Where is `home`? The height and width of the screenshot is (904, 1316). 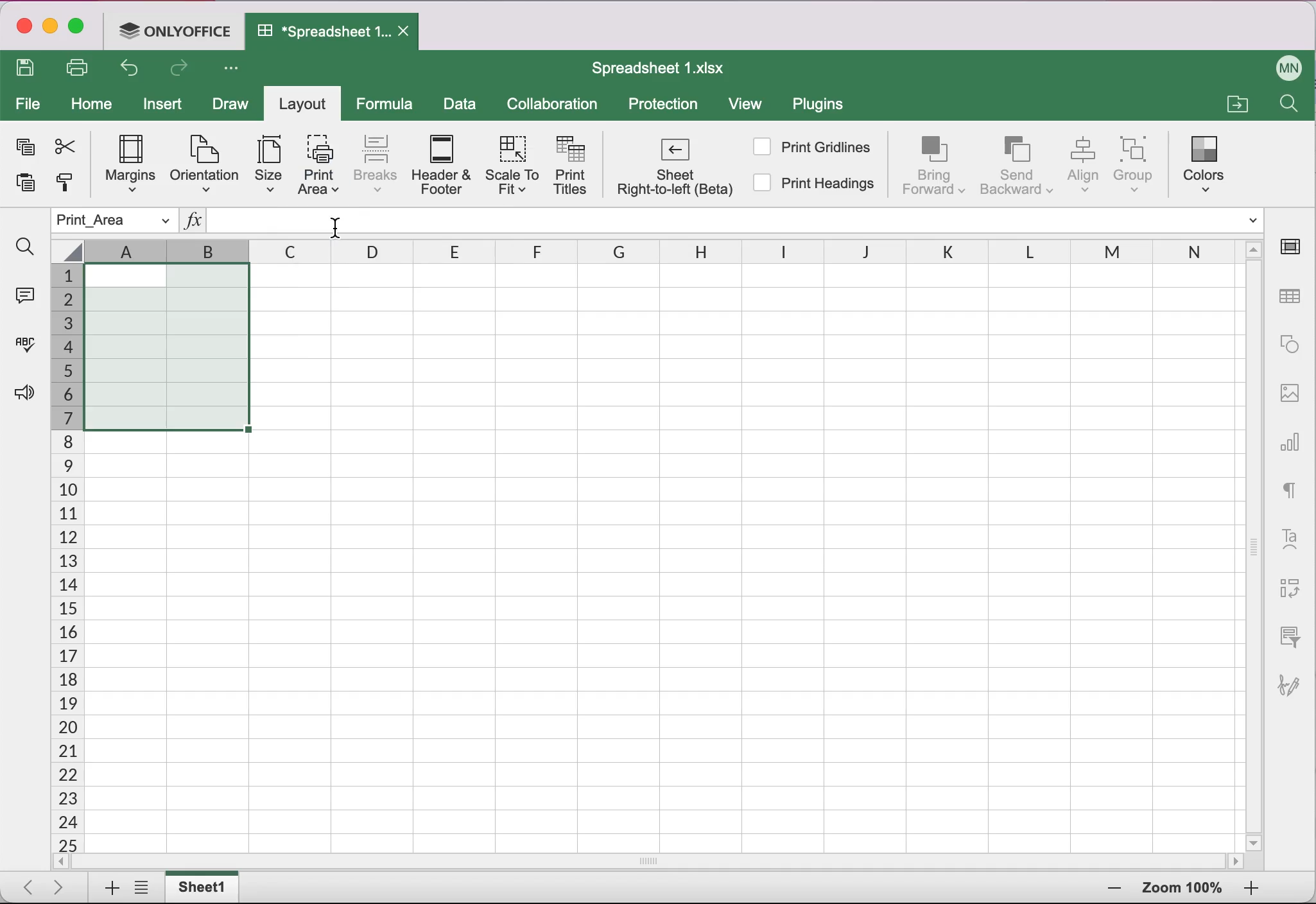 home is located at coordinates (92, 105).